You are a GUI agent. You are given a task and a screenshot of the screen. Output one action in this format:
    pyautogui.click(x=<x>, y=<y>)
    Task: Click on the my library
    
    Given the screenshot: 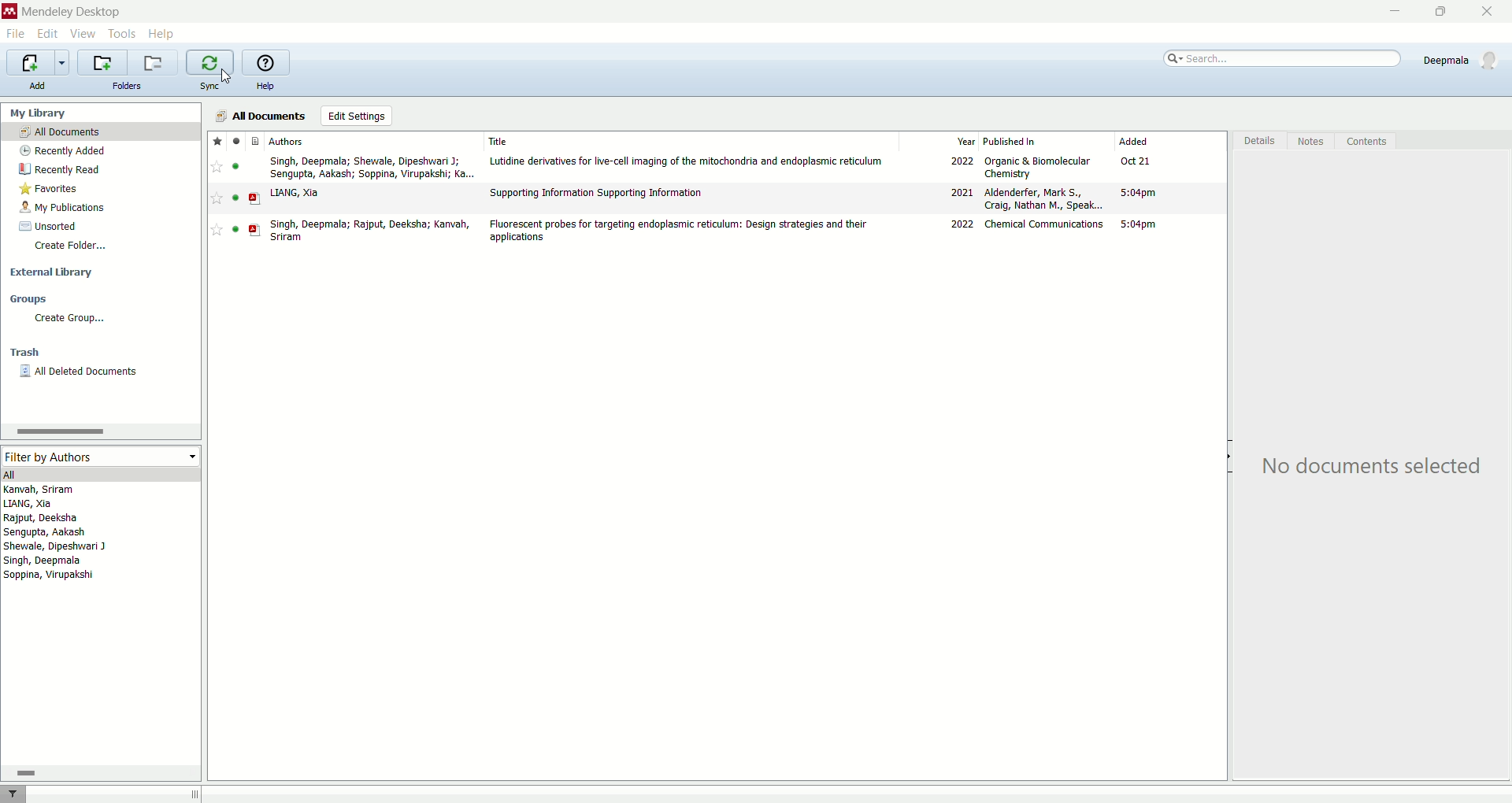 What is the action you would take?
    pyautogui.click(x=38, y=114)
    